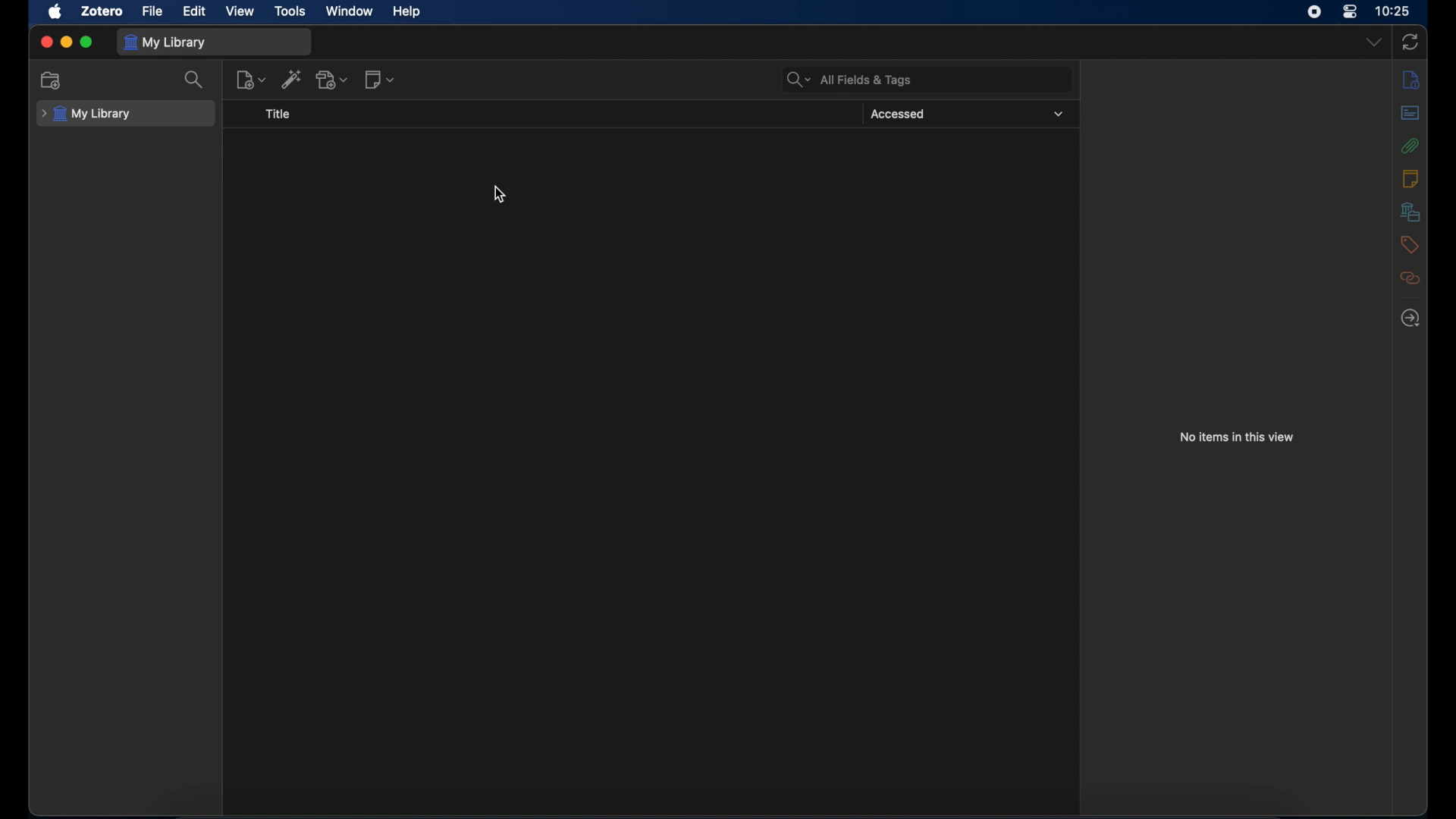 The height and width of the screenshot is (819, 1456). I want to click on window, so click(350, 11).